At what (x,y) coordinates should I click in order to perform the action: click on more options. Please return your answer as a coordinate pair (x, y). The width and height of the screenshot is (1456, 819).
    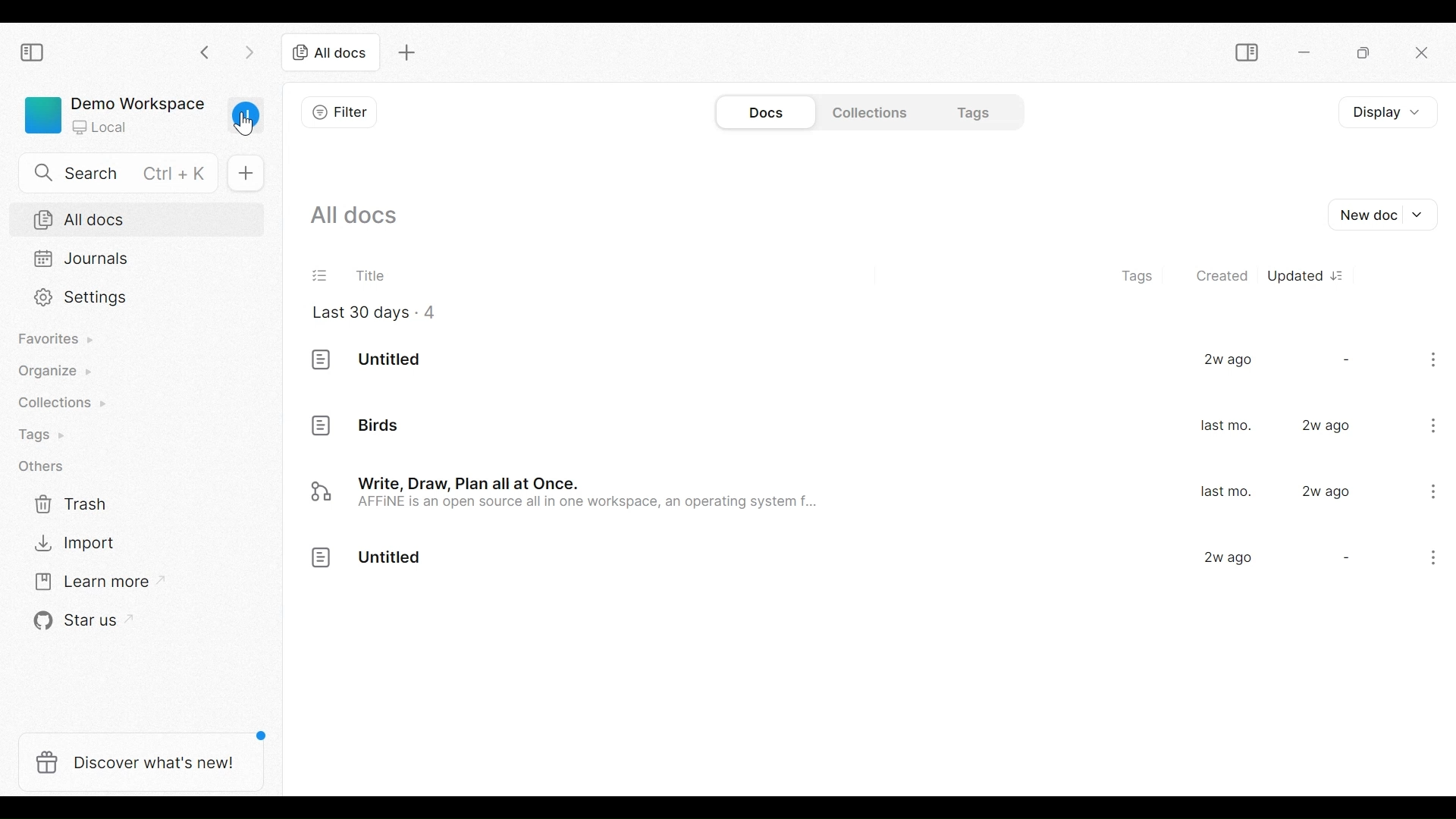
    Looking at the image, I should click on (1431, 491).